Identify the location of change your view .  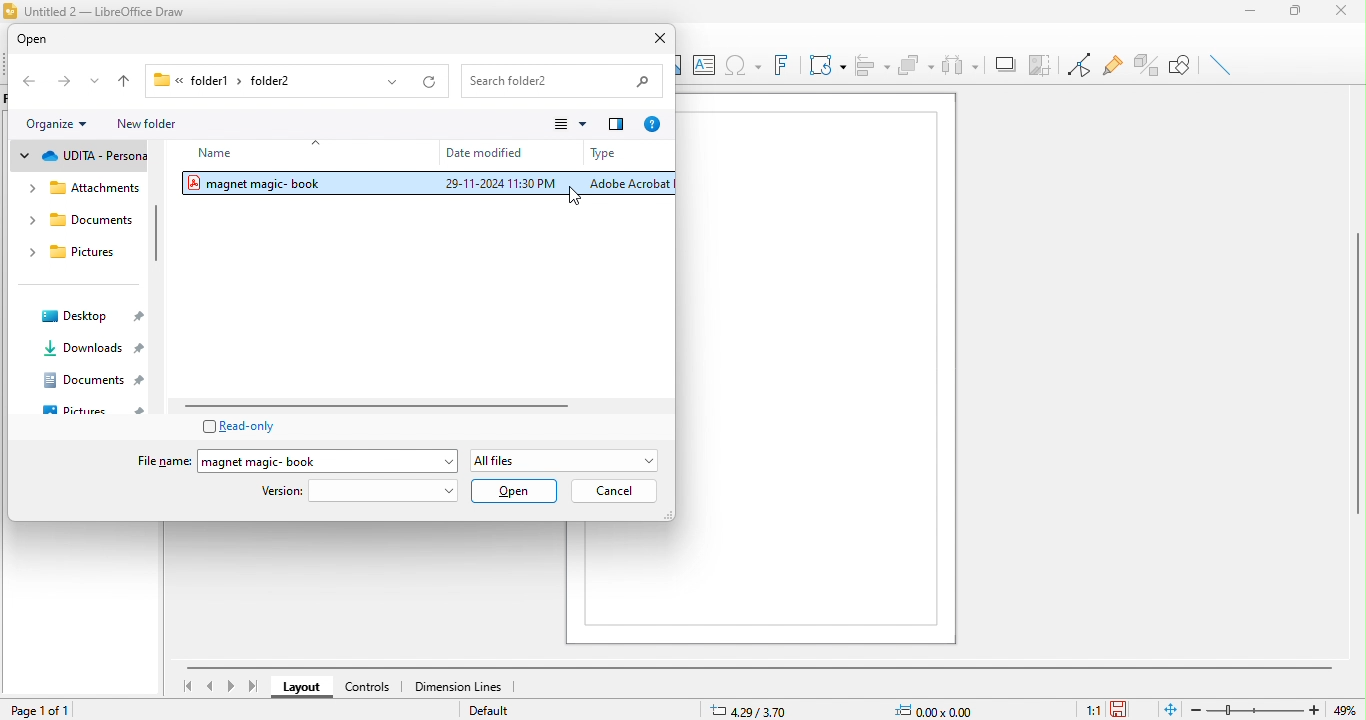
(569, 125).